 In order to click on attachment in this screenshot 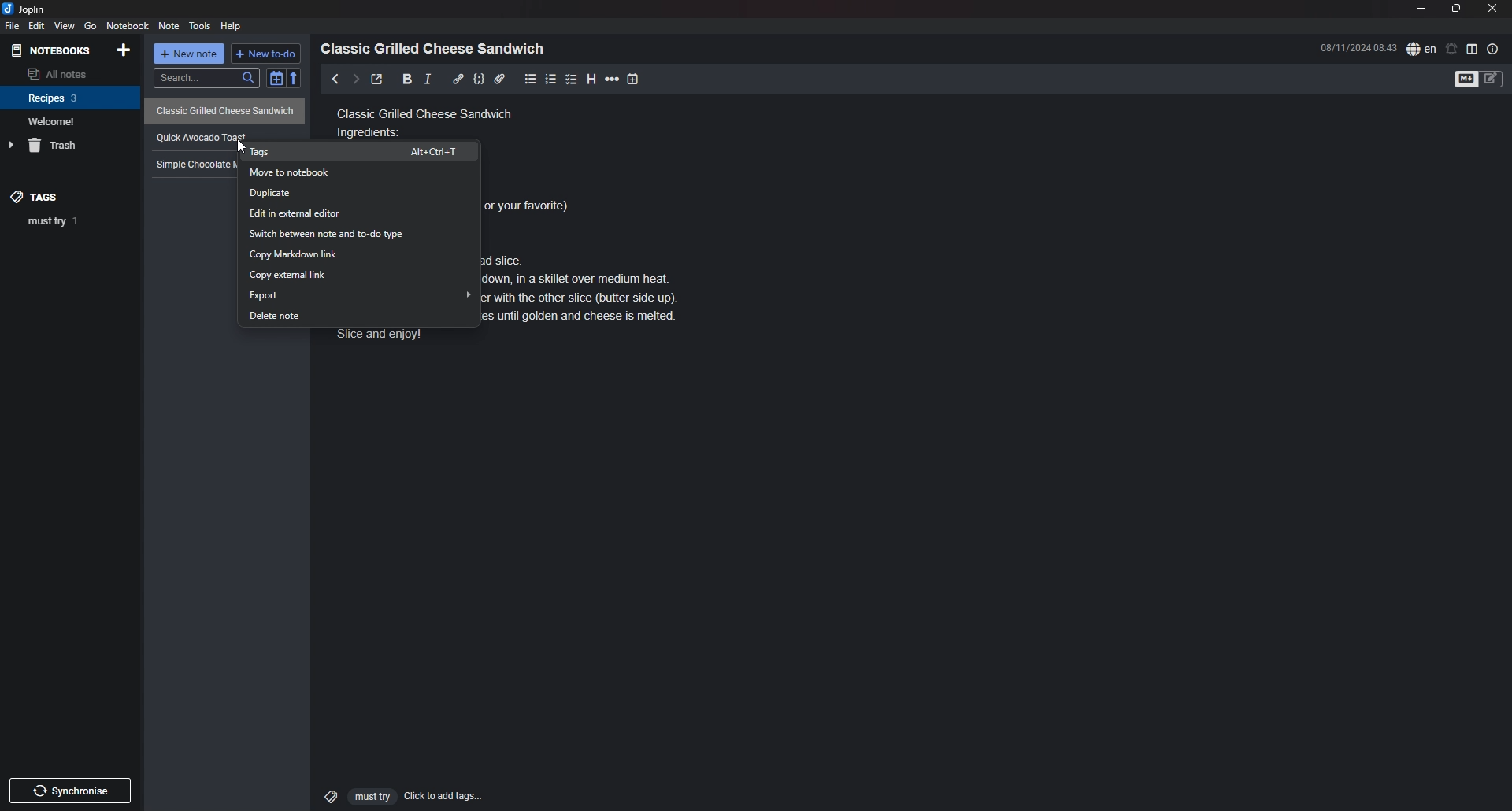, I will do `click(499, 79)`.